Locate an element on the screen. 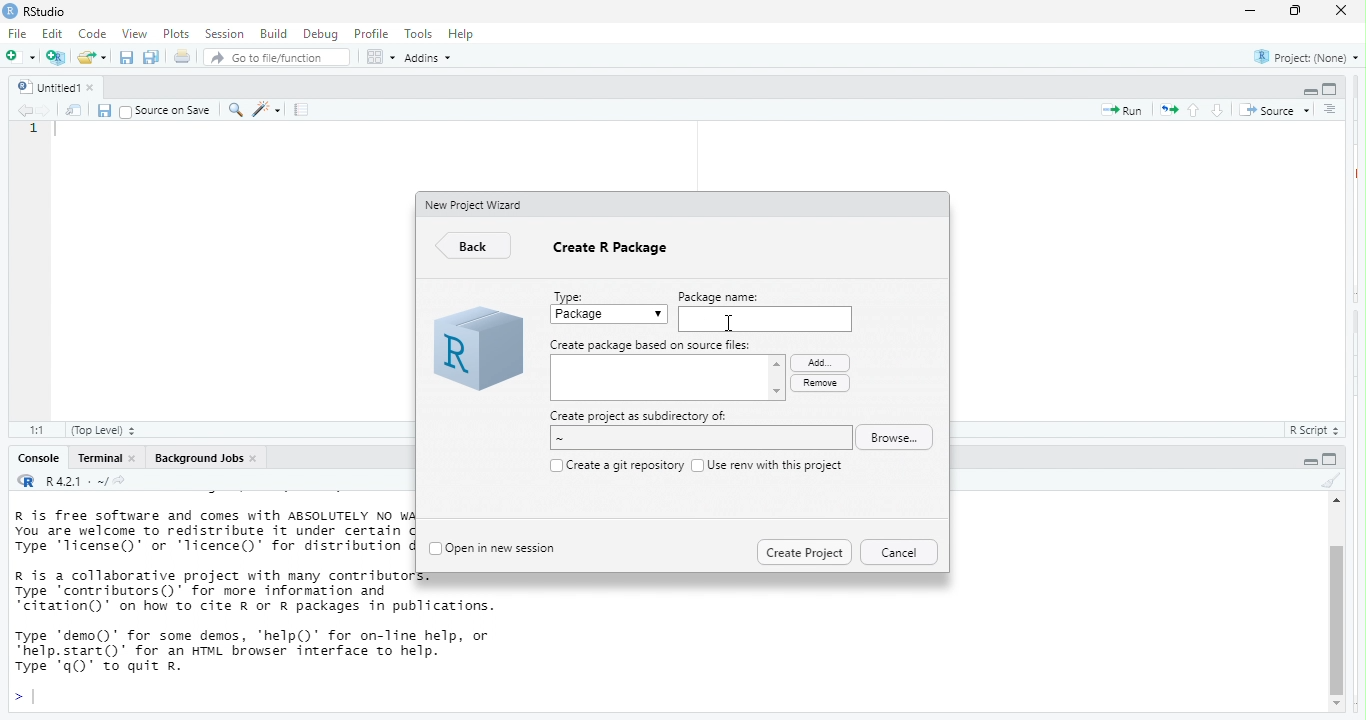 This screenshot has width=1366, height=720. go to previous section/chunk is located at coordinates (1196, 111).